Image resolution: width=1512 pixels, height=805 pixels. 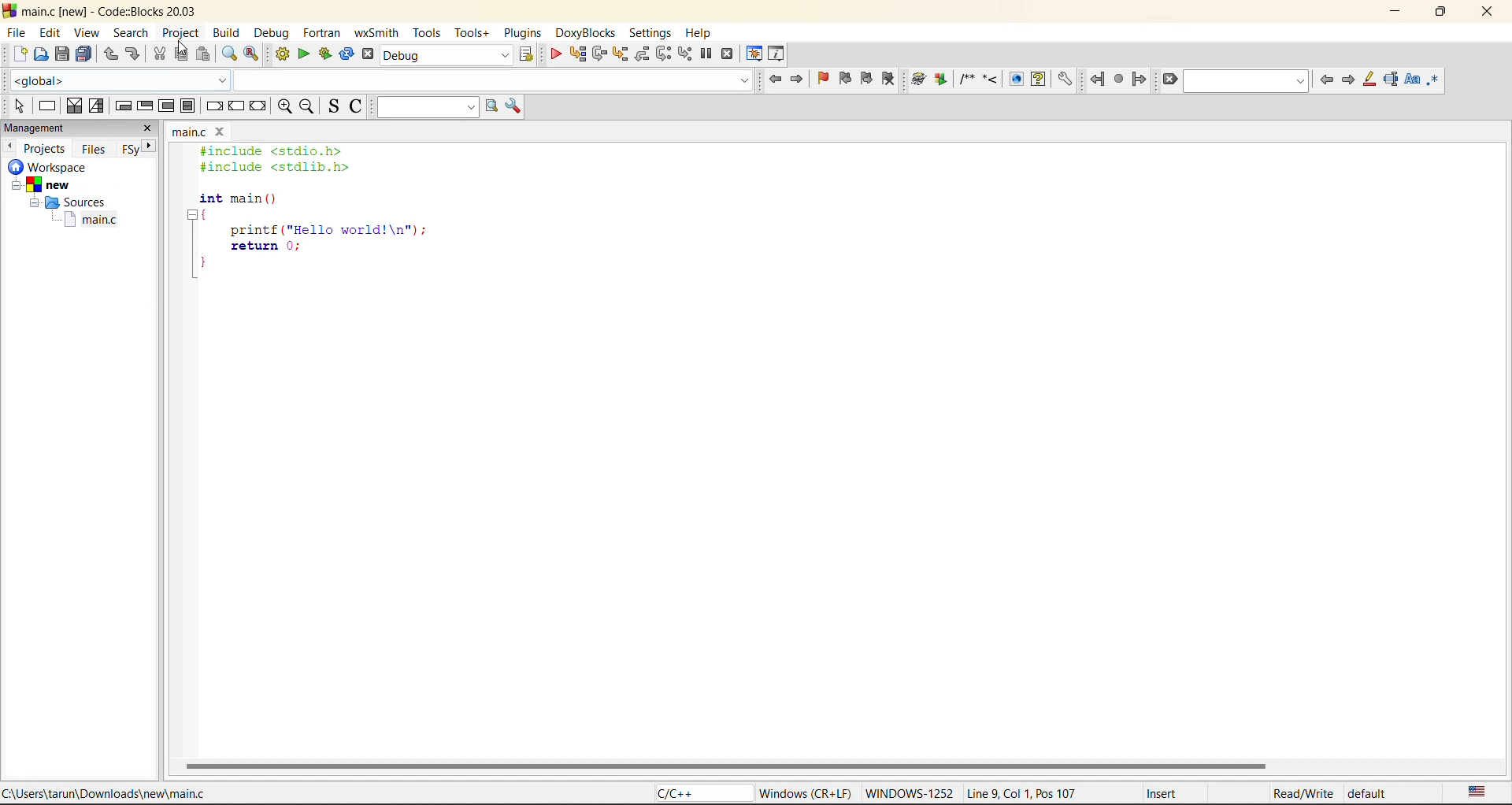 I want to click on main.c [new] - Code::Blocks 20.03, so click(x=126, y=12).